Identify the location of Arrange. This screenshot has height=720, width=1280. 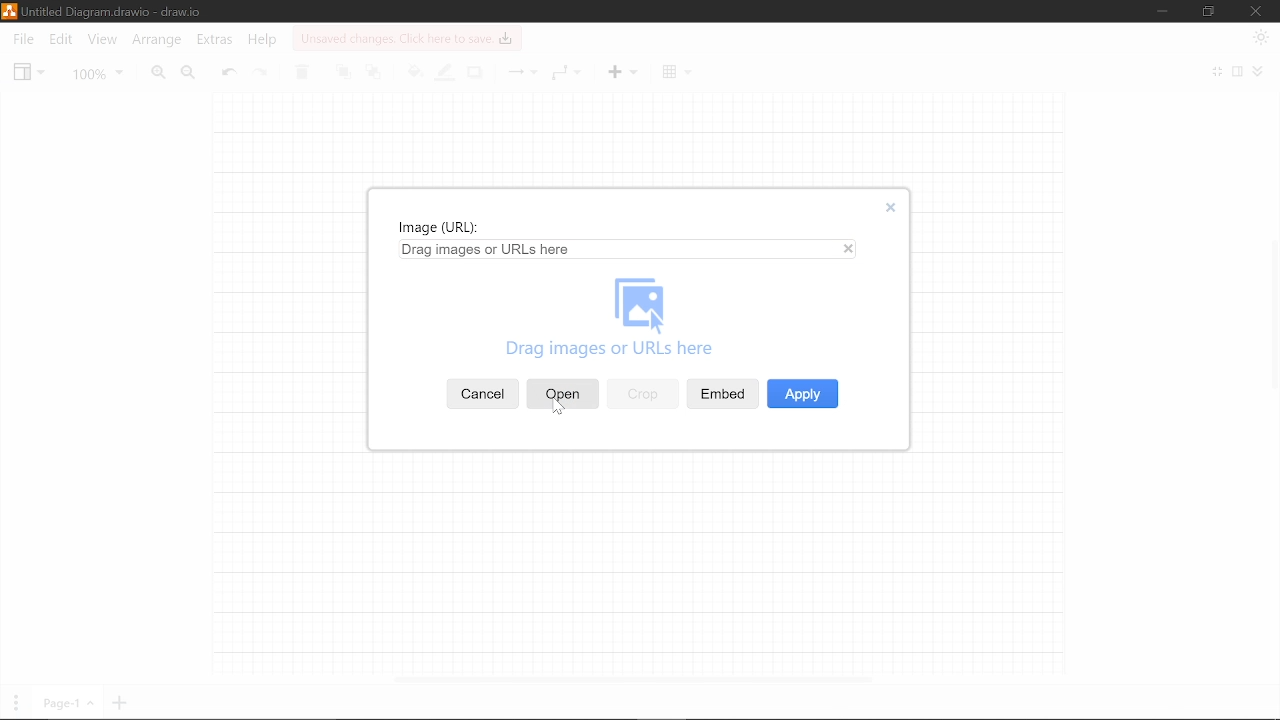
(154, 41).